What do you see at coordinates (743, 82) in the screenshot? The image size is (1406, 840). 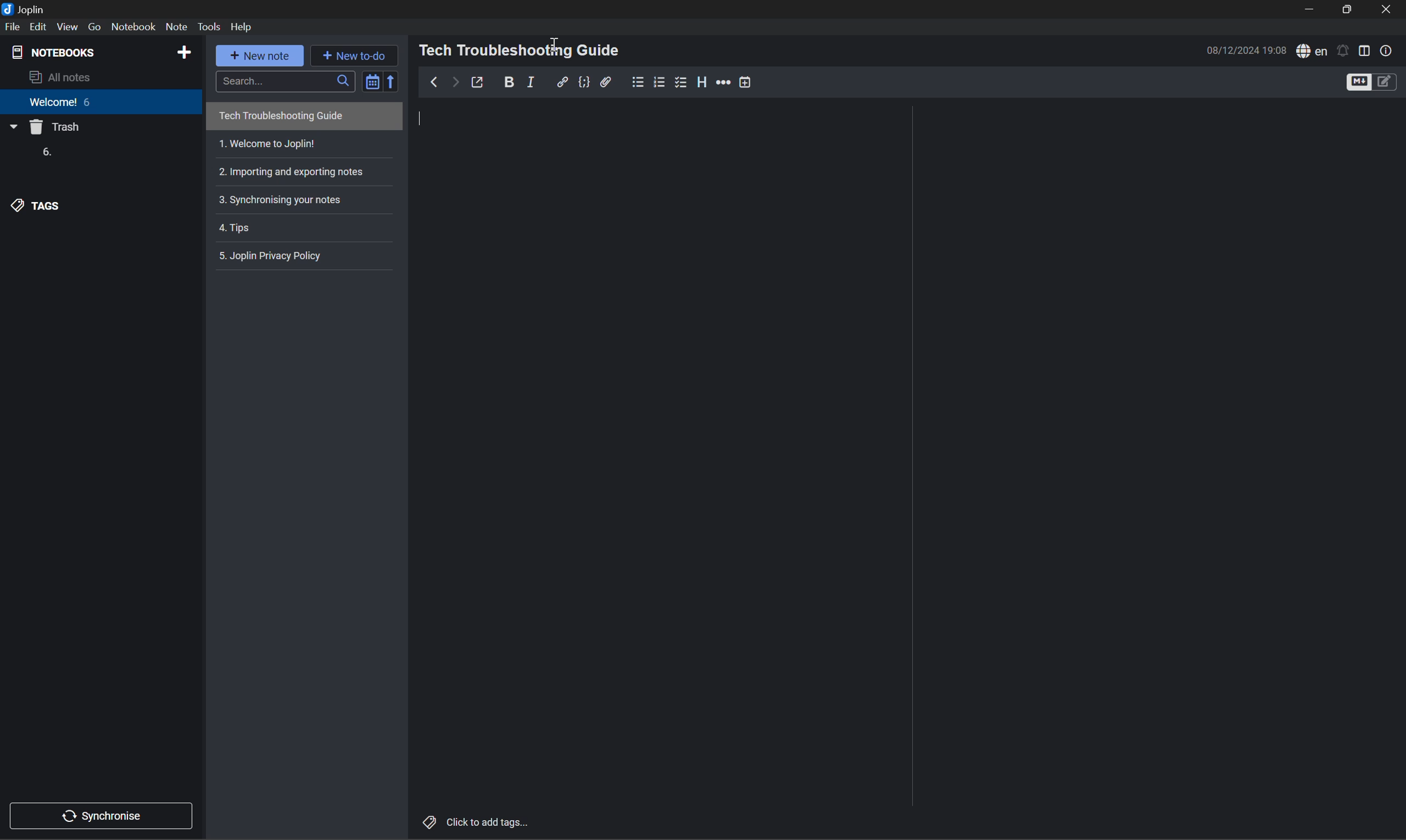 I see `Insert time` at bounding box center [743, 82].